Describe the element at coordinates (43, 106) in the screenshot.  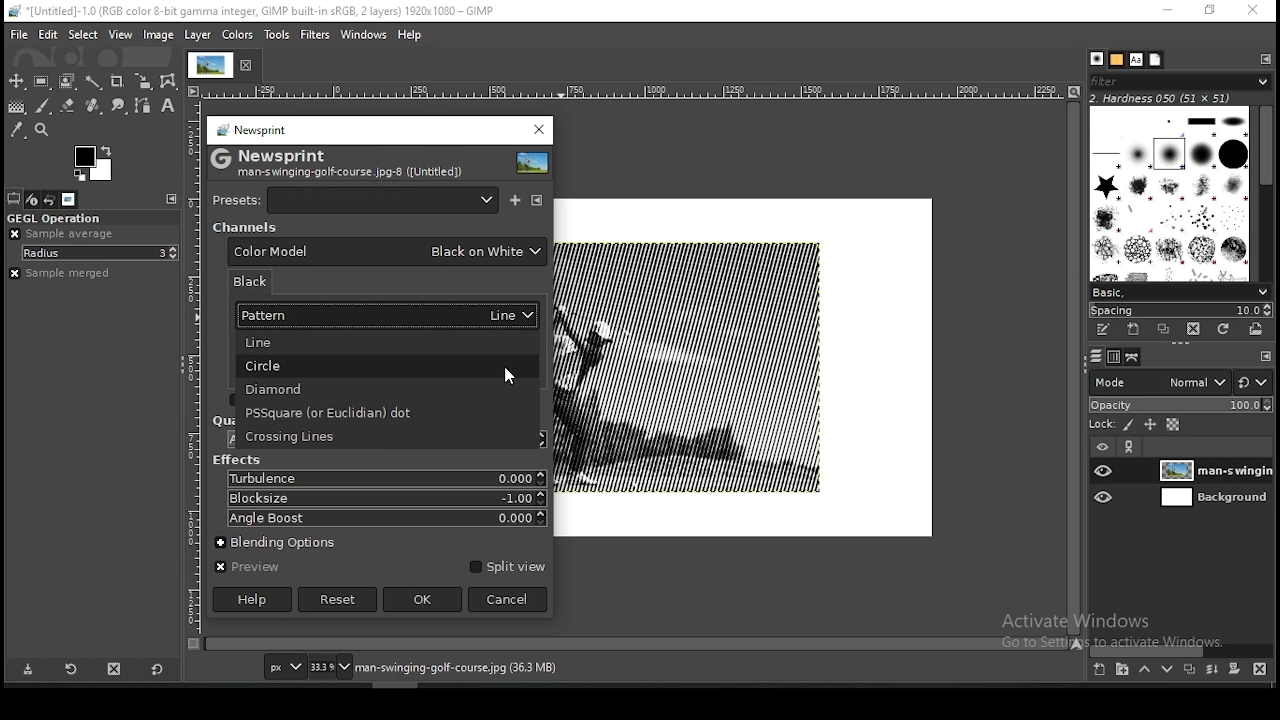
I see `paintbrush tool` at that location.